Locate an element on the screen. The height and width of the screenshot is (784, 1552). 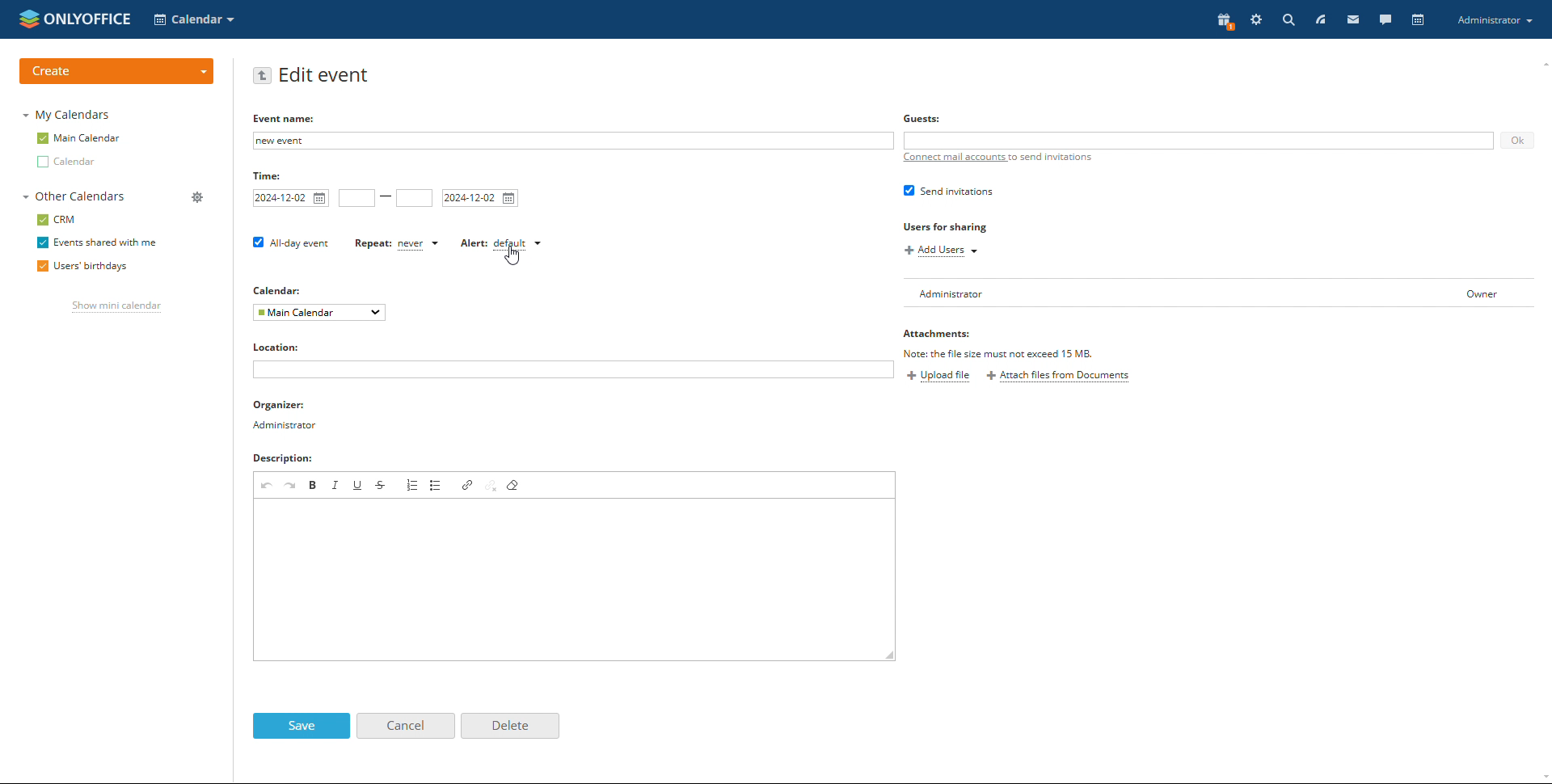
edit event is located at coordinates (324, 76).